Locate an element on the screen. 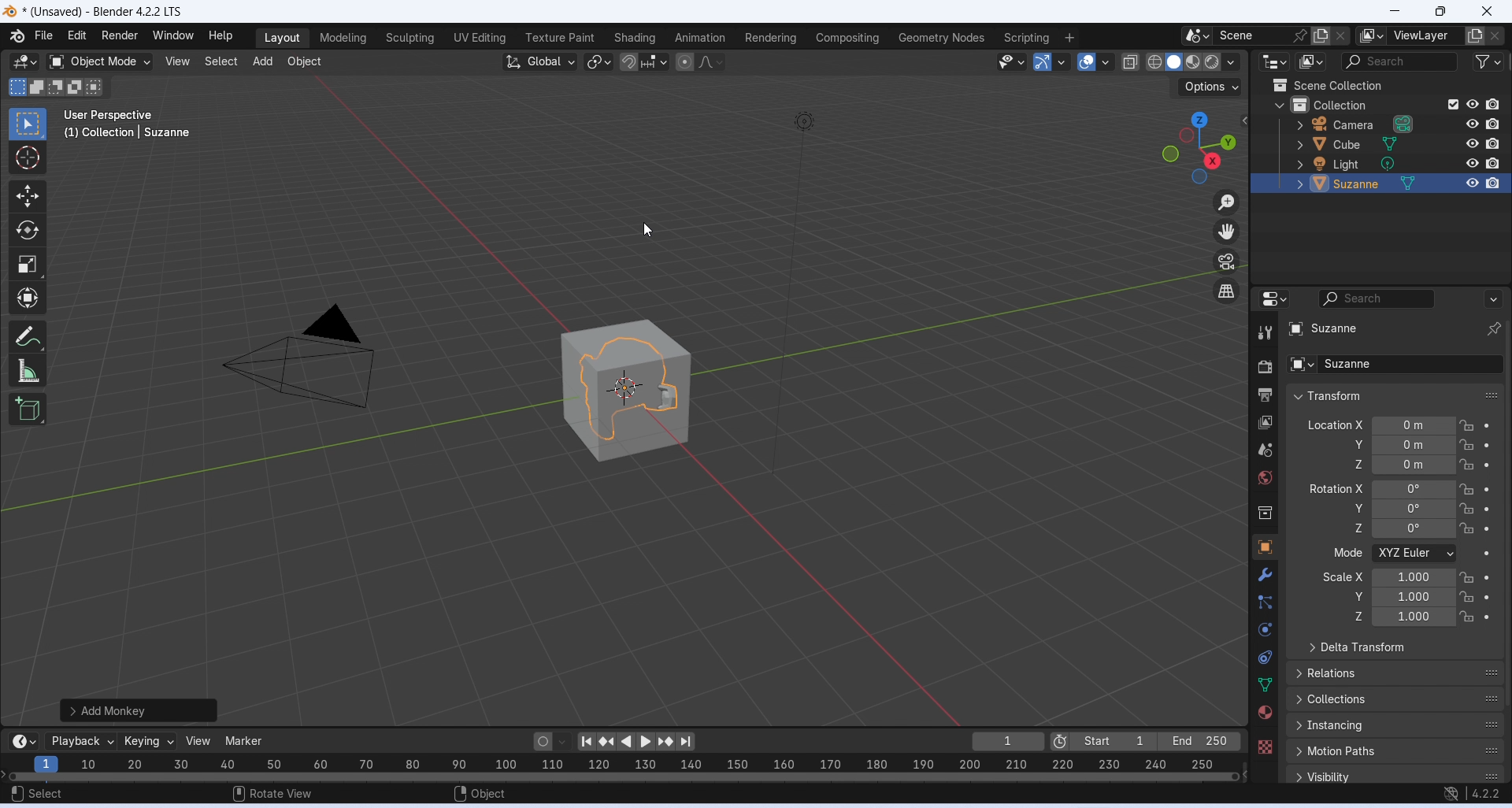 This screenshot has height=808, width=1512. delta transform is located at coordinates (1395, 647).